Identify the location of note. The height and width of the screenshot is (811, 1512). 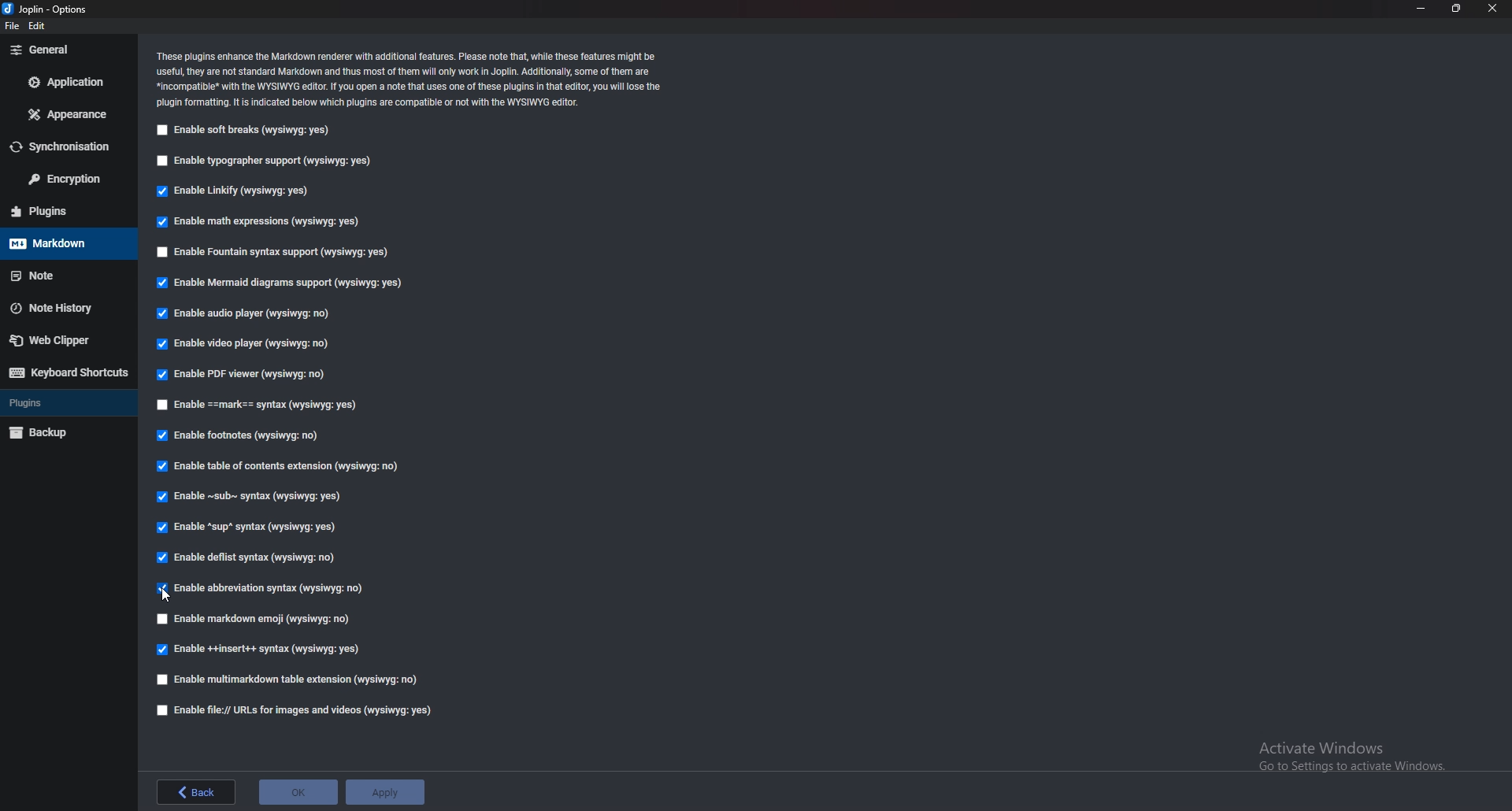
(62, 276).